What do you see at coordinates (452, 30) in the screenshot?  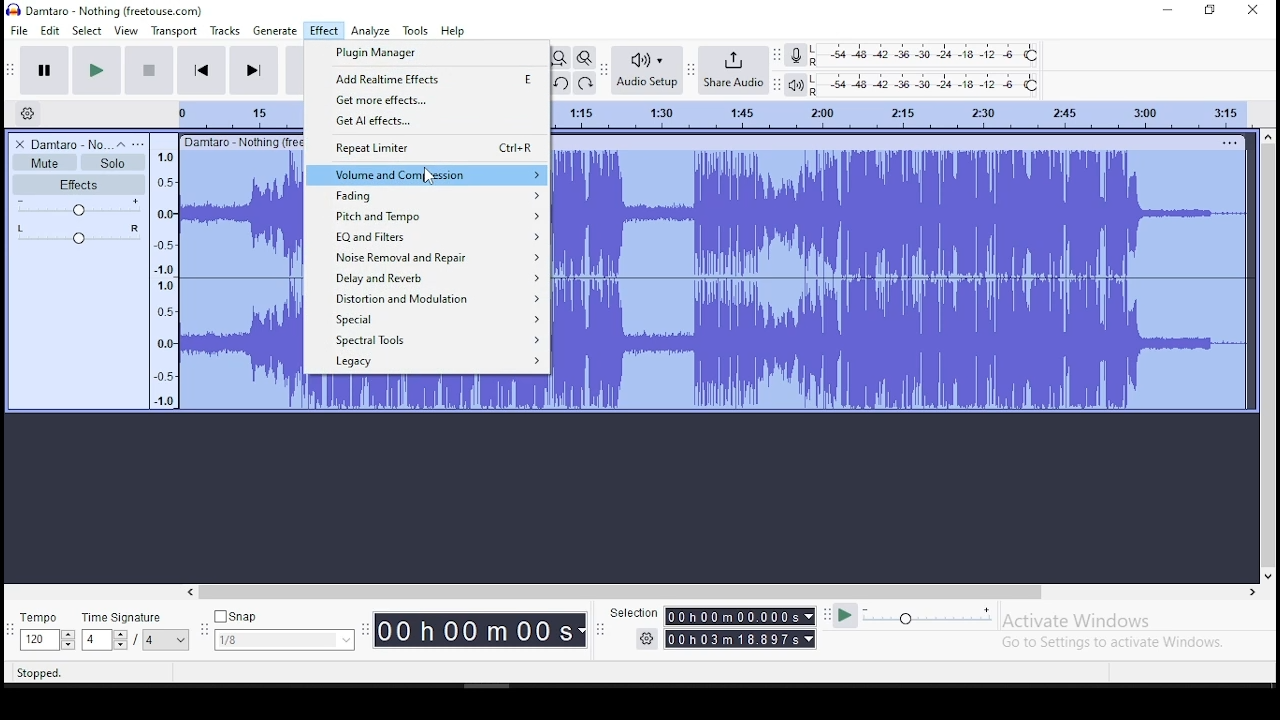 I see `help` at bounding box center [452, 30].